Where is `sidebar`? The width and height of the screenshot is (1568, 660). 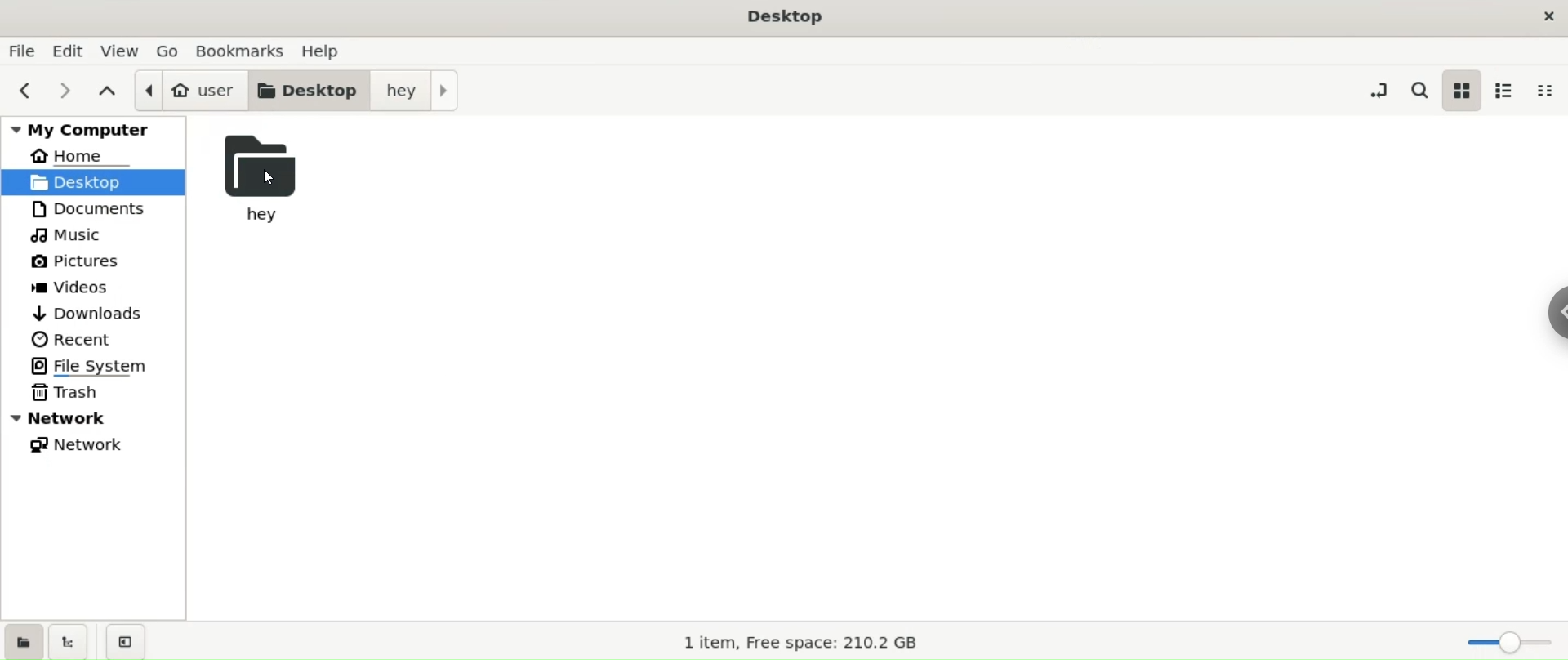 sidebar is located at coordinates (1543, 313).